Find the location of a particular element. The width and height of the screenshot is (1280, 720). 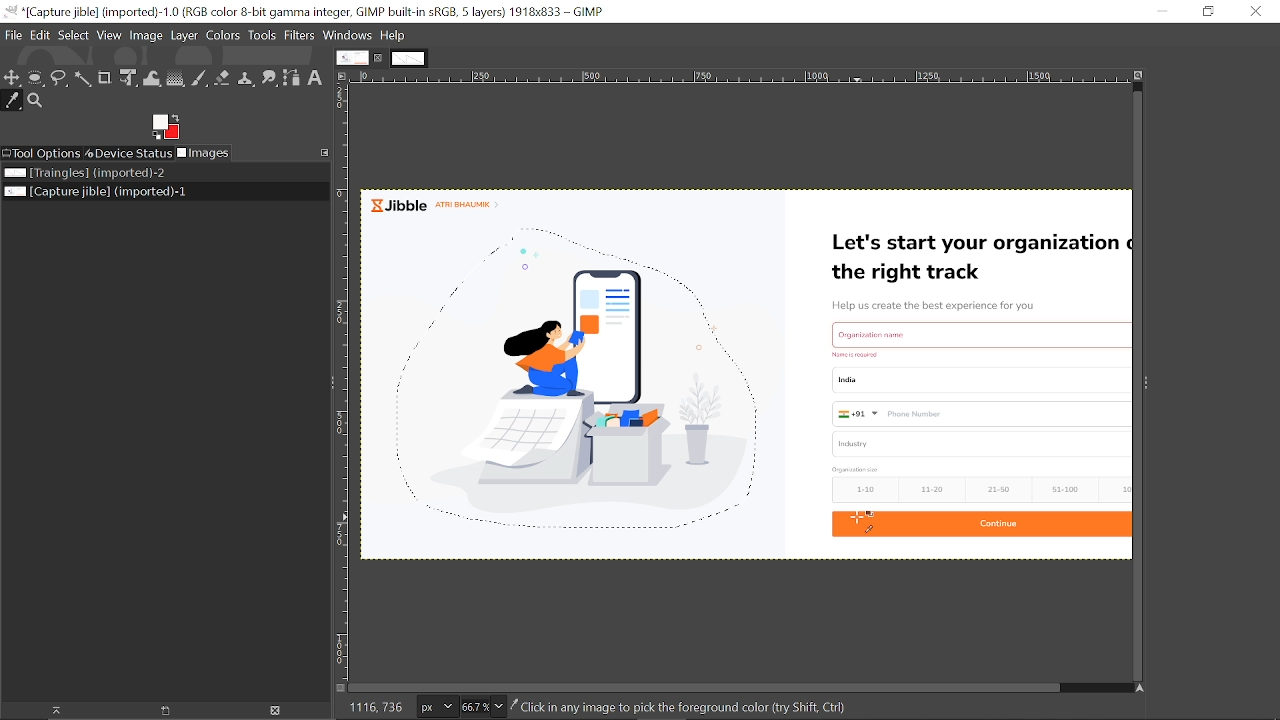

Side bar menu is located at coordinates (1145, 385).